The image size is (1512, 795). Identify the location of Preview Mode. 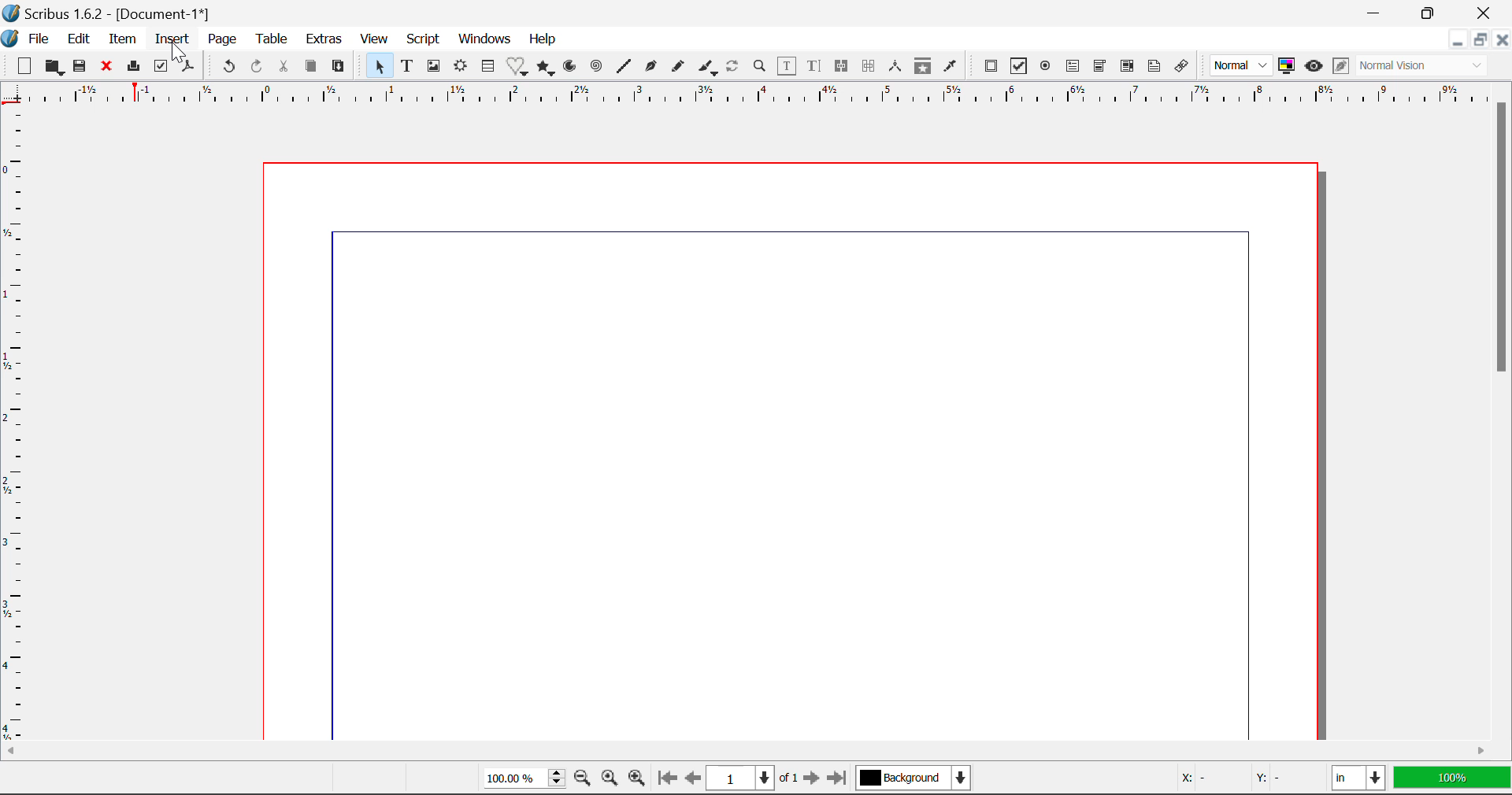
(1314, 68).